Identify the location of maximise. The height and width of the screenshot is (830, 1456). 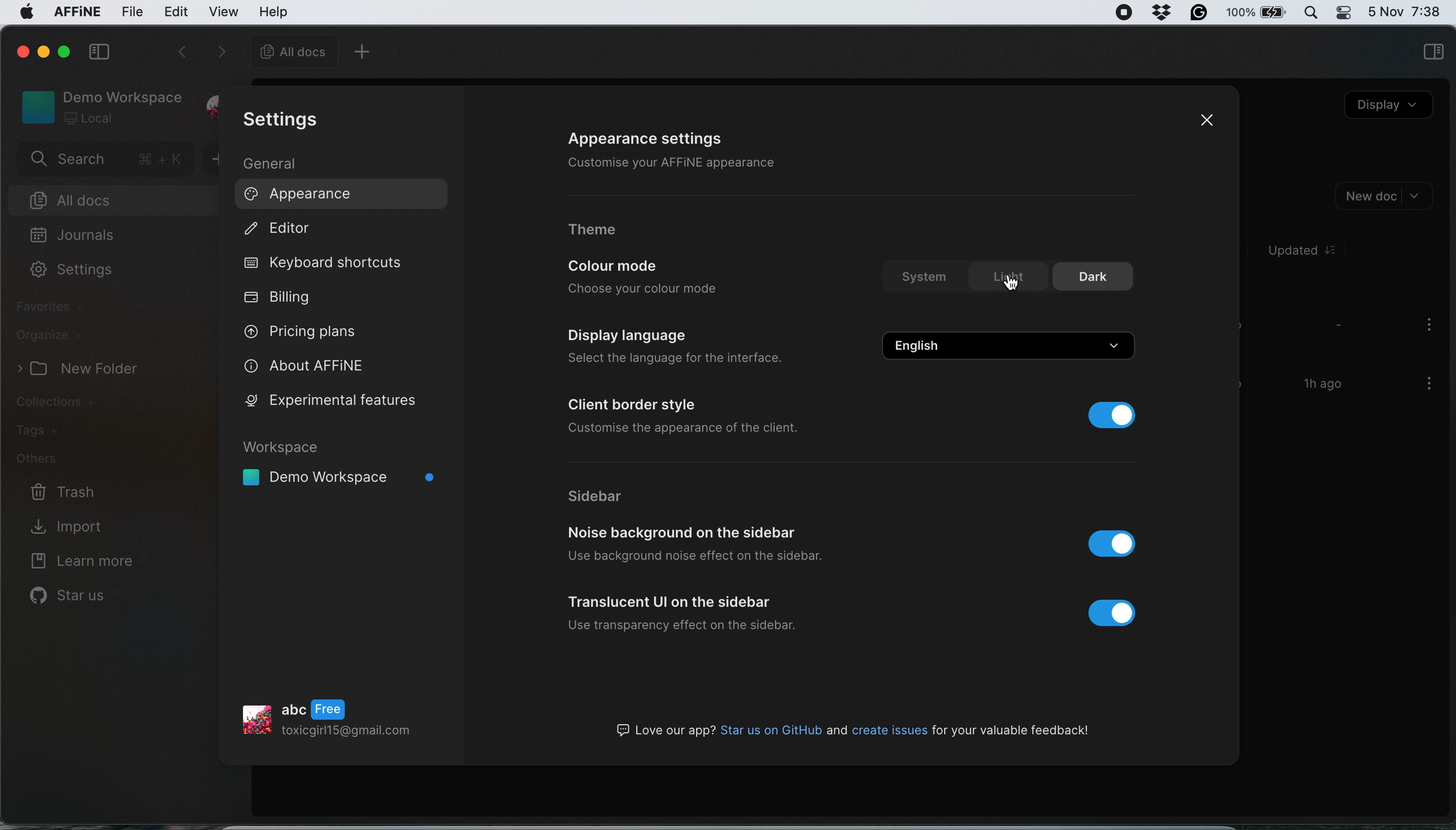
(66, 51).